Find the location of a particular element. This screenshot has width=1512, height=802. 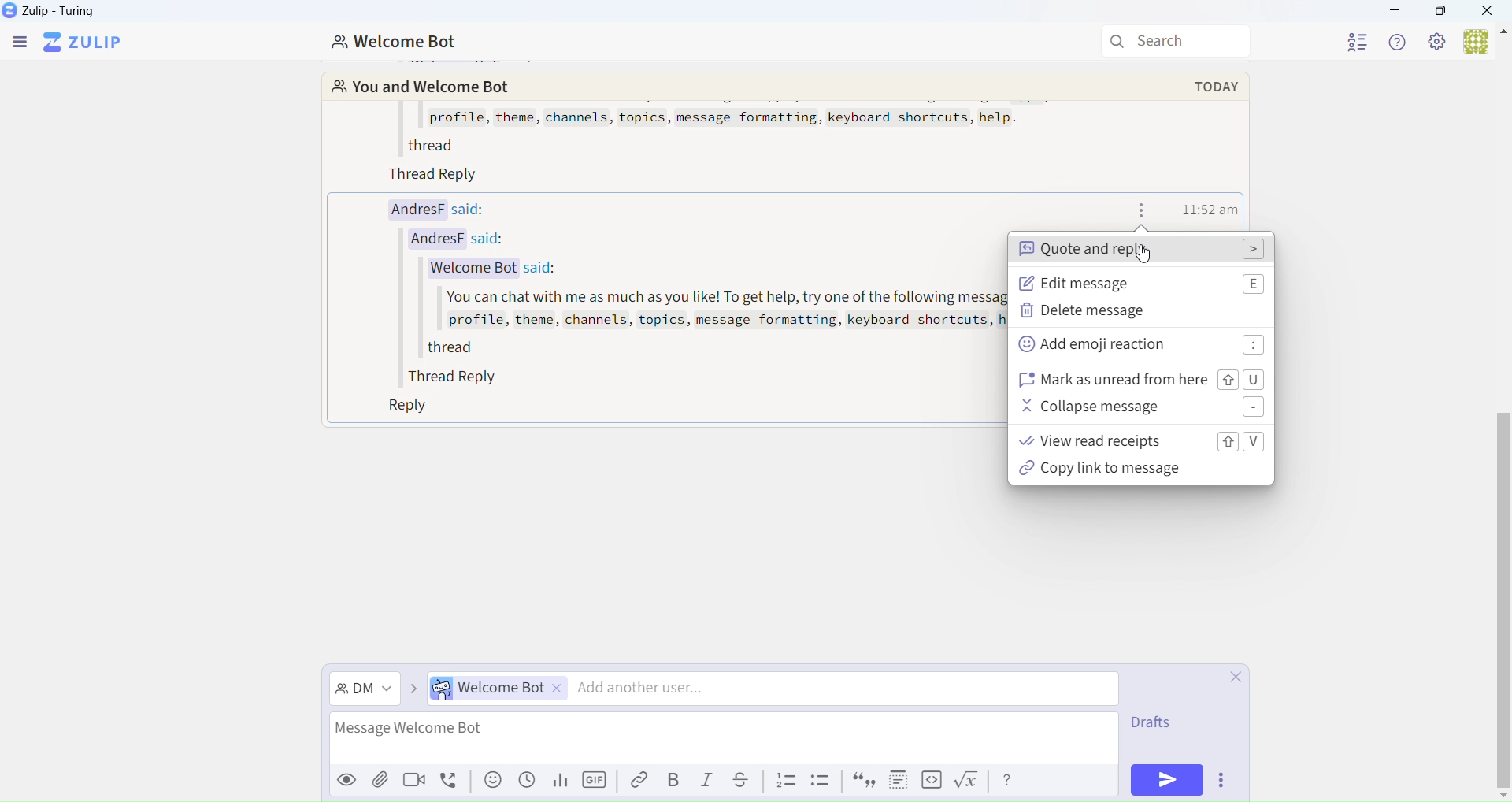

emoji is located at coordinates (491, 782).